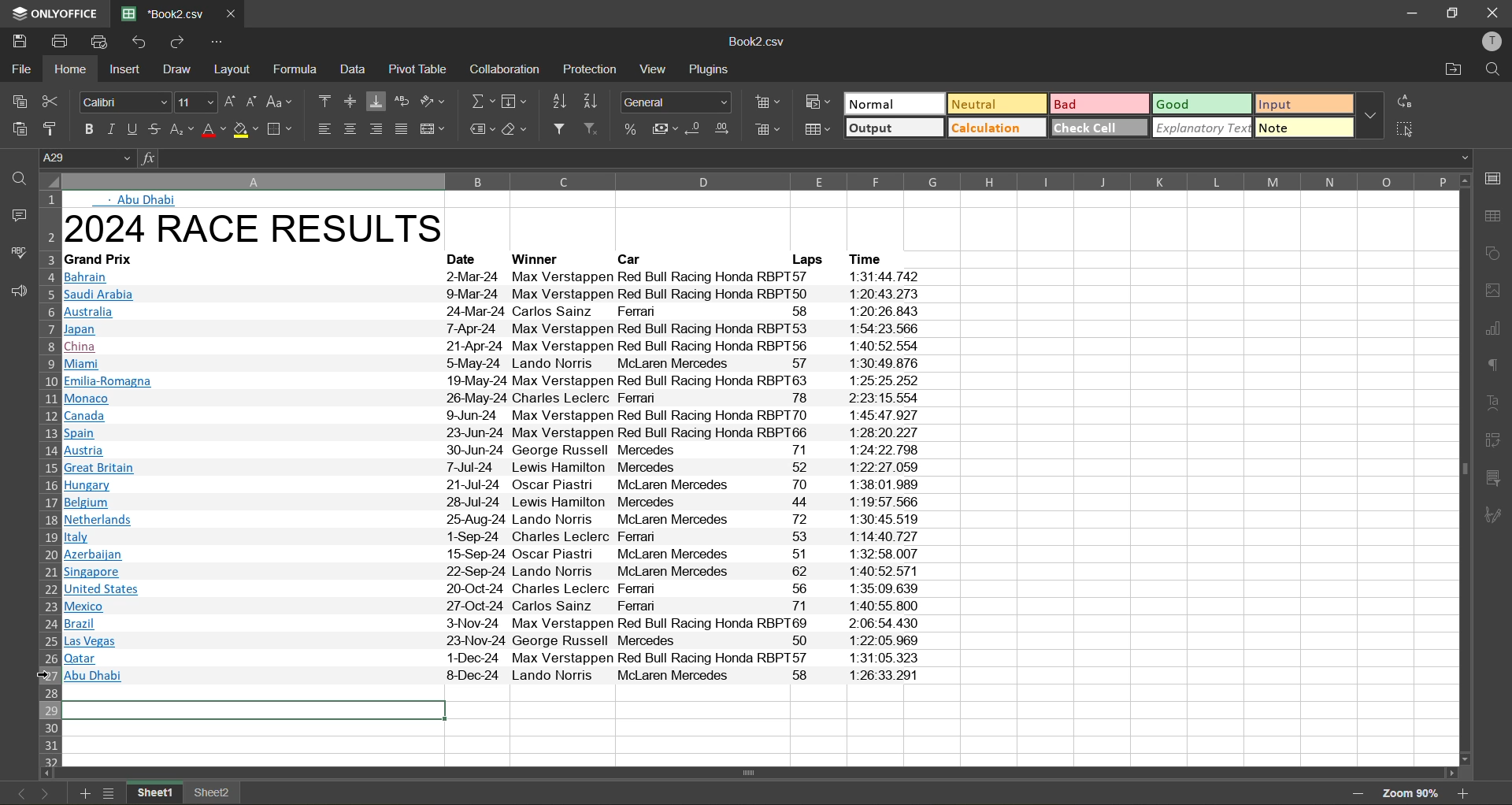  What do you see at coordinates (558, 102) in the screenshot?
I see `sort ascending` at bounding box center [558, 102].